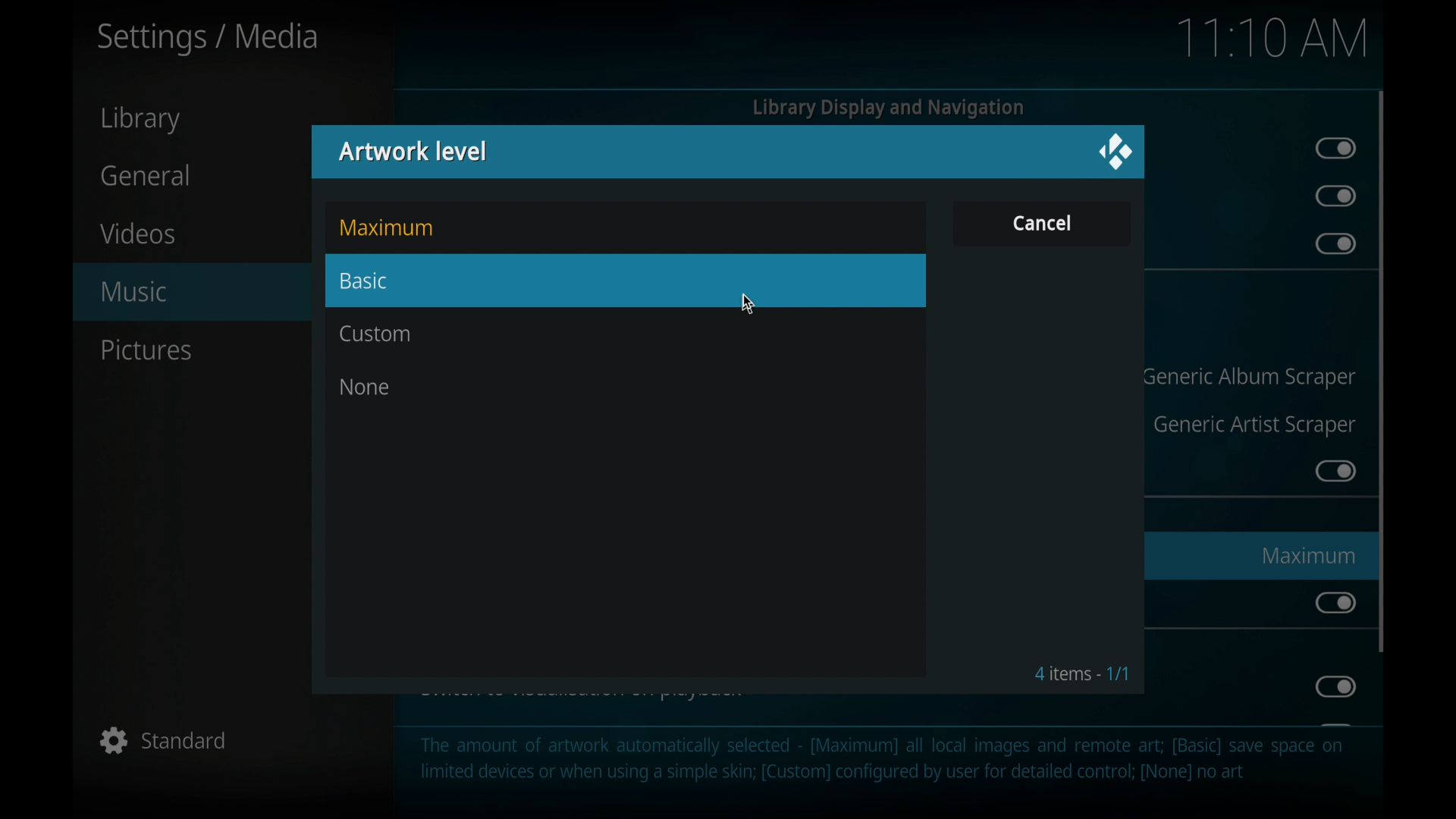 This screenshot has height=819, width=1456. I want to click on 4 items, so click(1082, 673).